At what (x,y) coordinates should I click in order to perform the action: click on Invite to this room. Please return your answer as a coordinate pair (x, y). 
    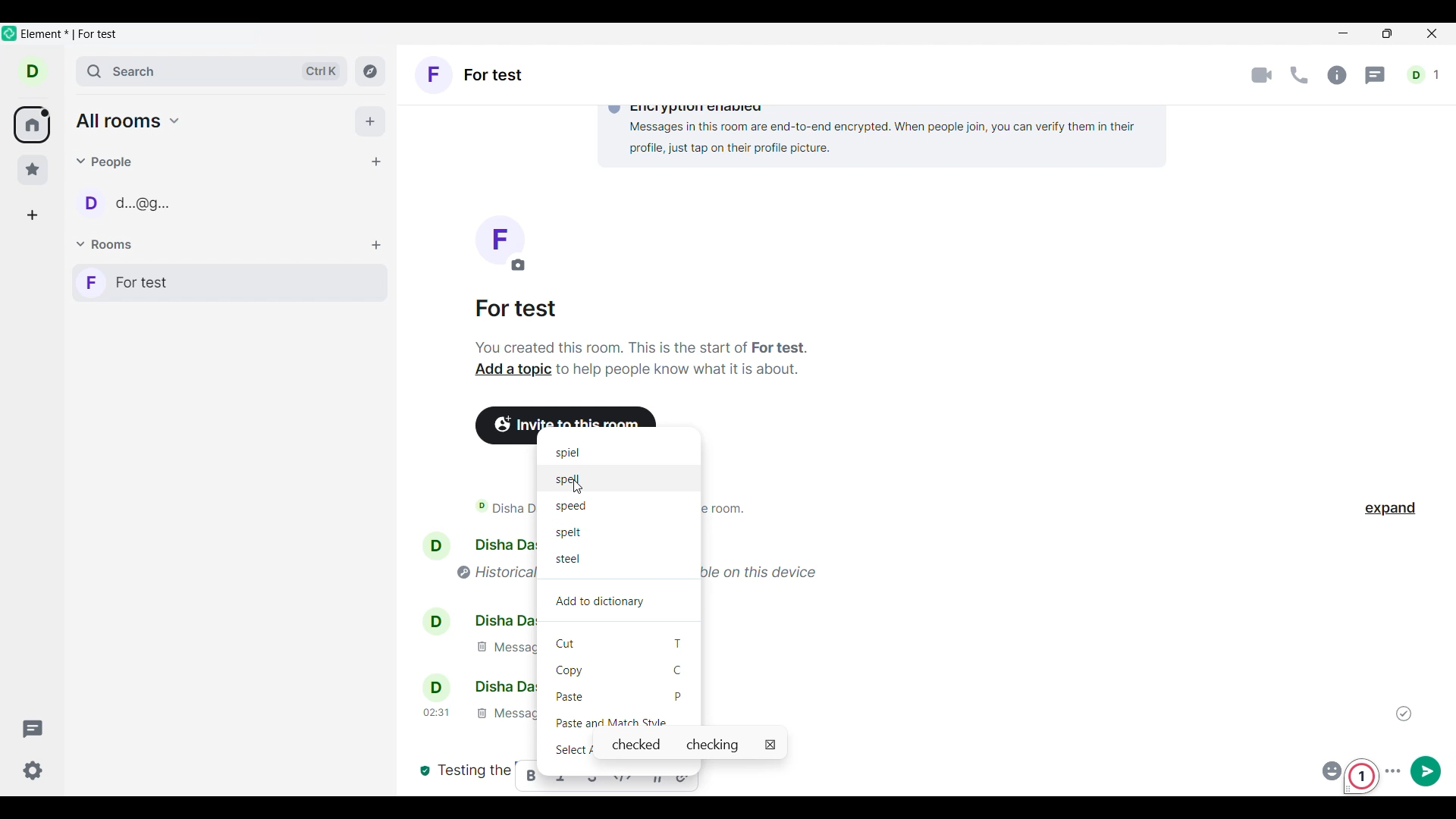
    Looking at the image, I should click on (572, 416).